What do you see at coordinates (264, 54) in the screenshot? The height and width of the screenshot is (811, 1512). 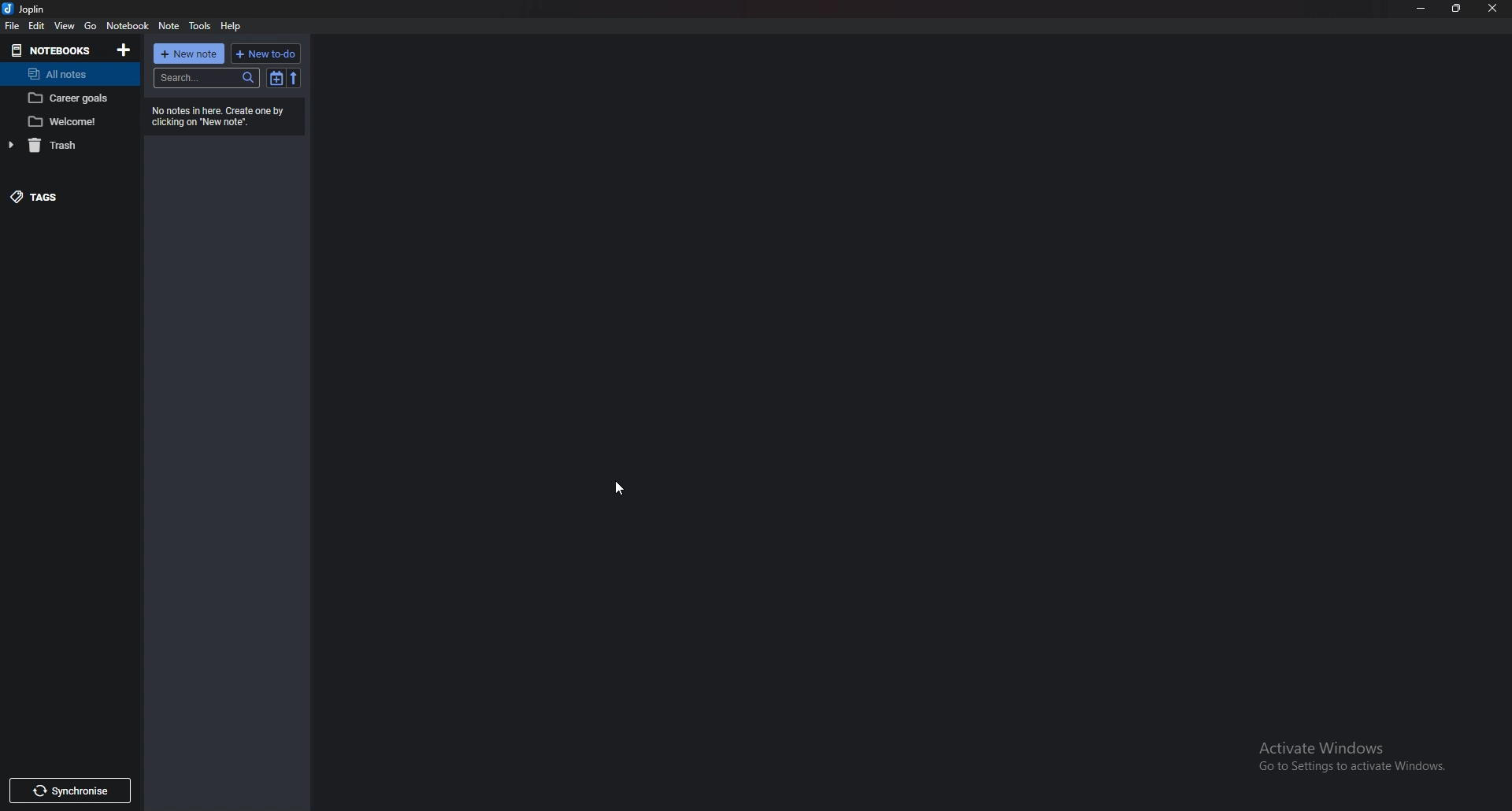 I see `new todo` at bounding box center [264, 54].